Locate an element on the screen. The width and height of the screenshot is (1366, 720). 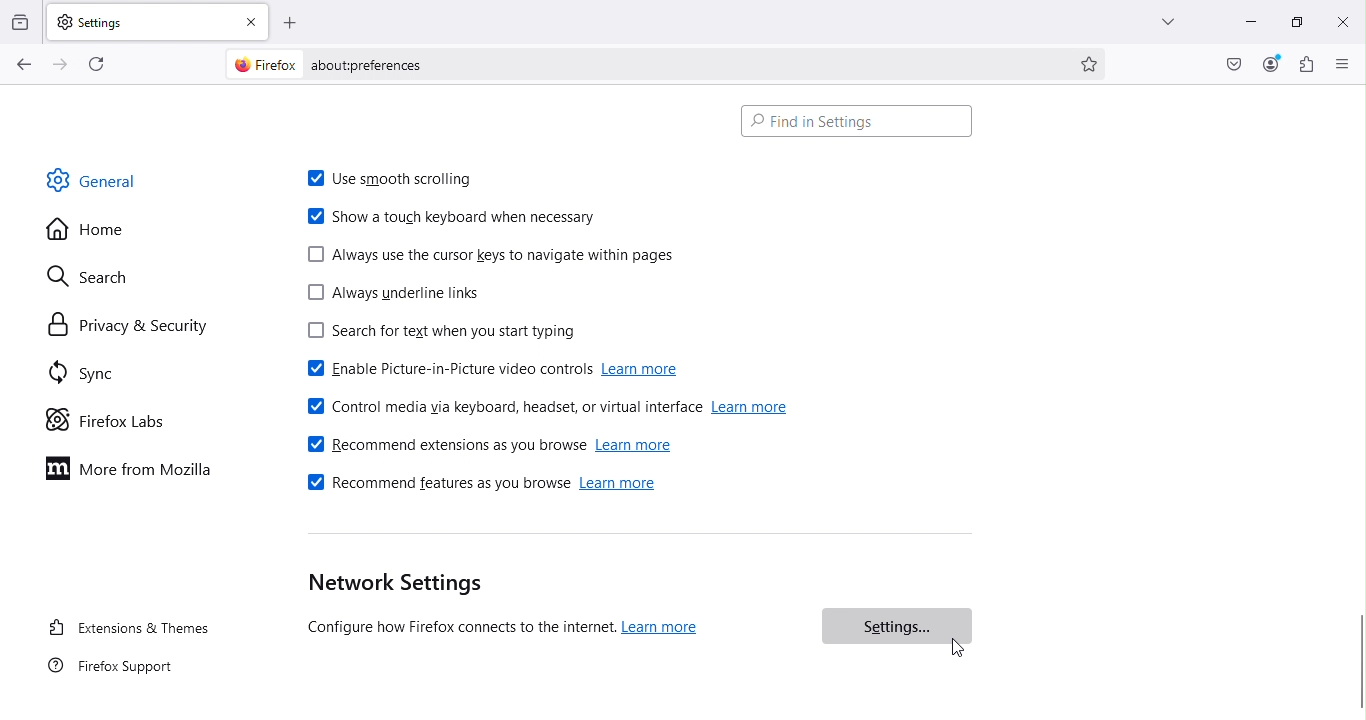
Use smooth scrolling is located at coordinates (393, 174).